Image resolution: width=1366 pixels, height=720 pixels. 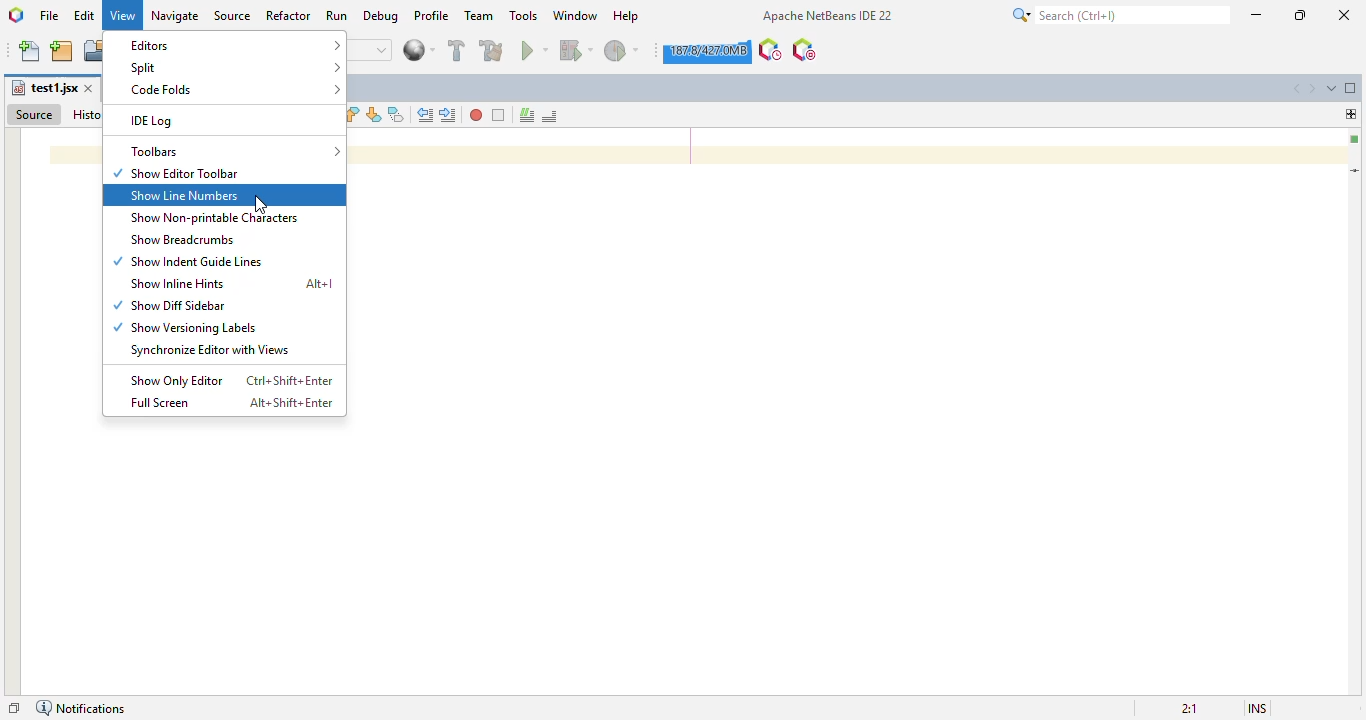 I want to click on window, so click(x=575, y=14).